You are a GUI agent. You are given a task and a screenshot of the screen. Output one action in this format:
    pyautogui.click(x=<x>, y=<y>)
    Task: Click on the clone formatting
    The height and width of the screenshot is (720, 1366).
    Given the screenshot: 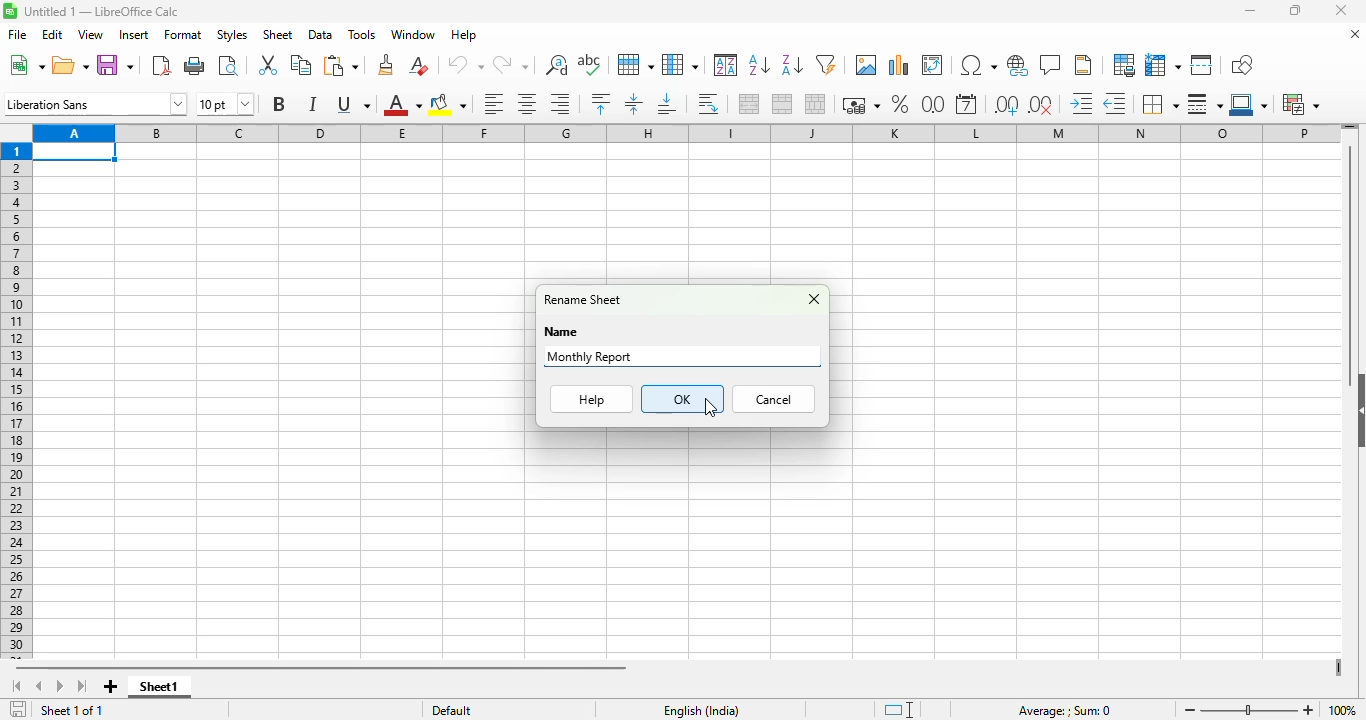 What is the action you would take?
    pyautogui.click(x=387, y=65)
    